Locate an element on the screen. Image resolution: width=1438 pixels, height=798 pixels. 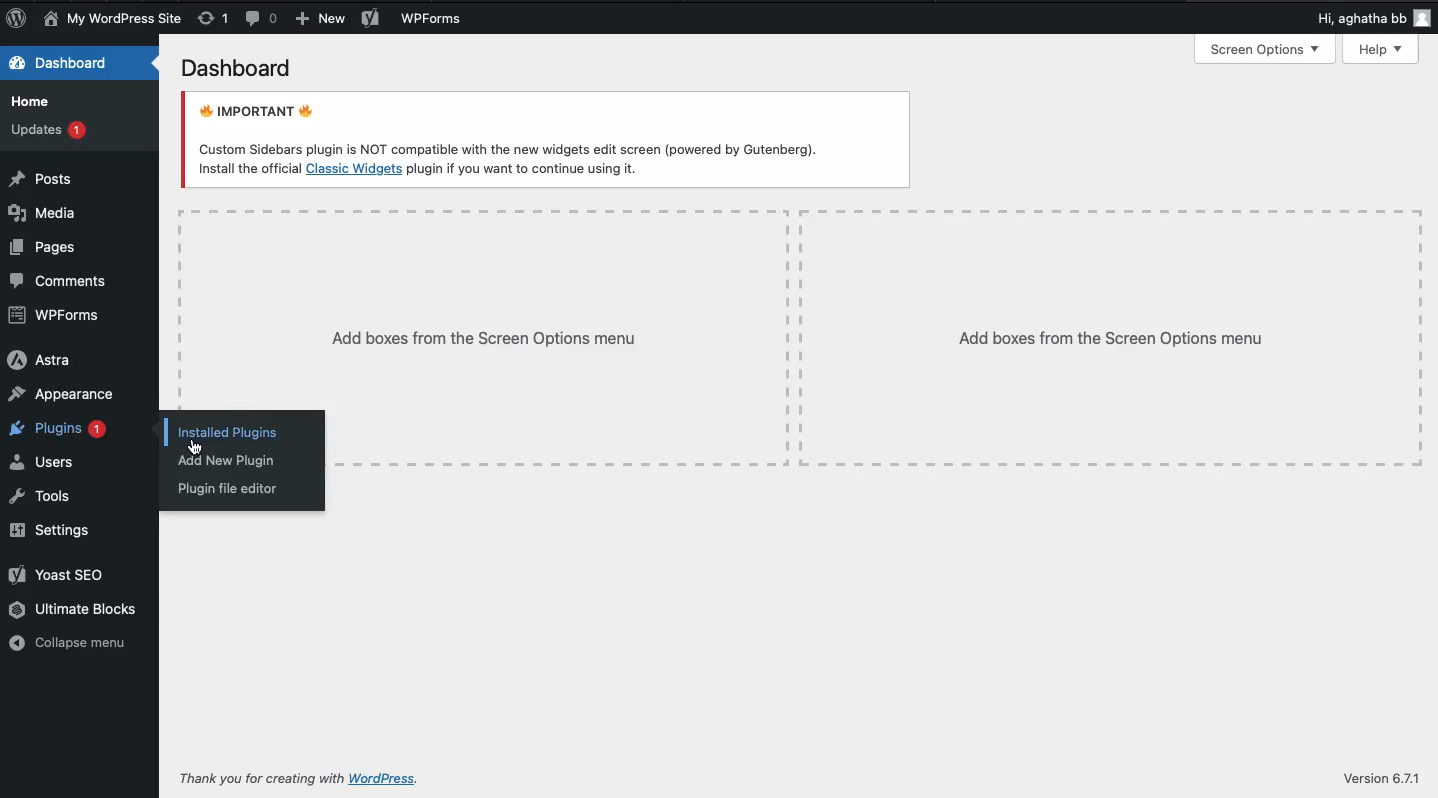
Important  is located at coordinates (511, 126).